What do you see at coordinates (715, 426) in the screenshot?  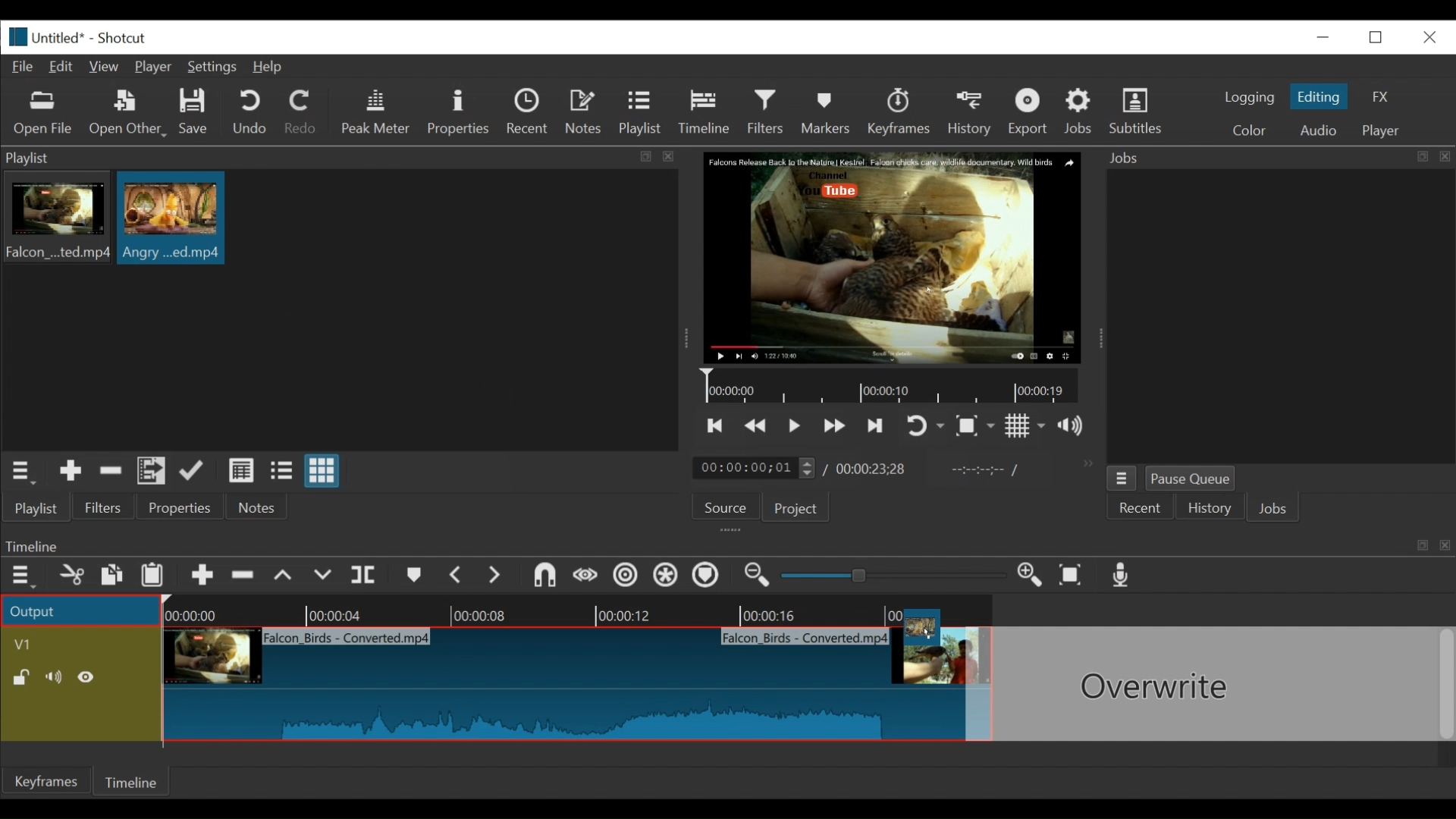 I see `skip to the previous point` at bounding box center [715, 426].